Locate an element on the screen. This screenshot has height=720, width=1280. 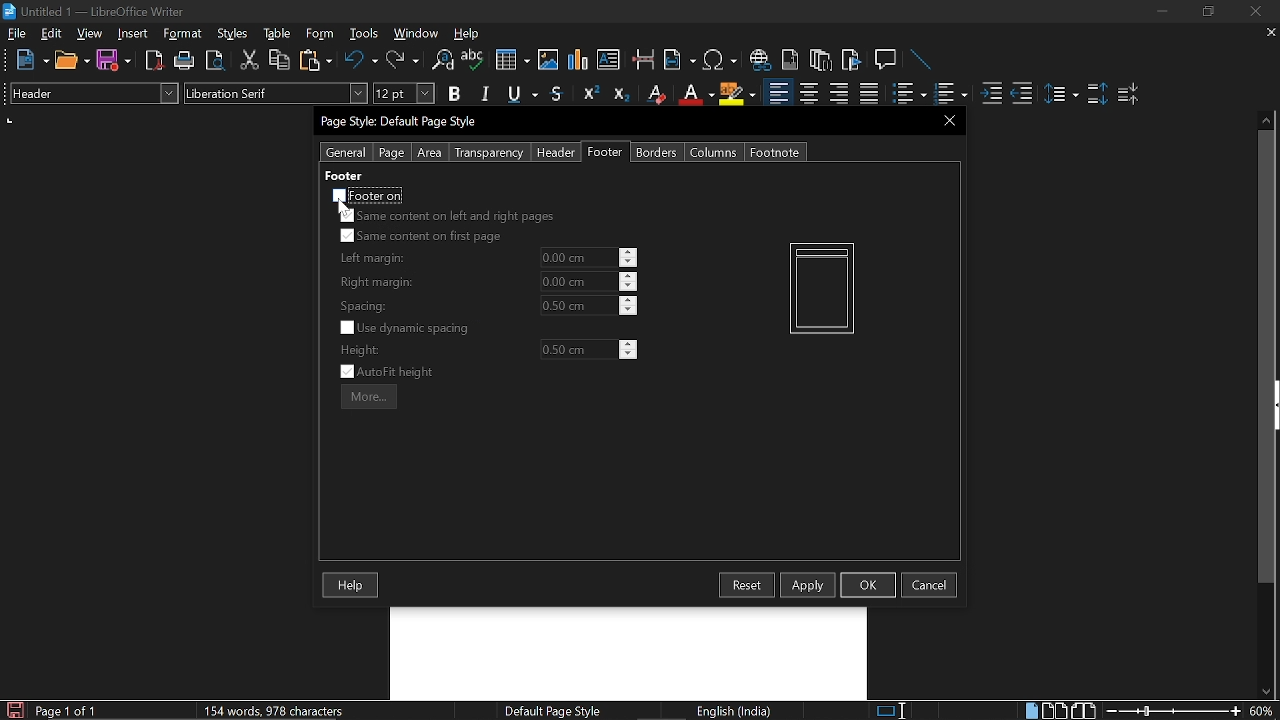
Format is located at coordinates (185, 34).